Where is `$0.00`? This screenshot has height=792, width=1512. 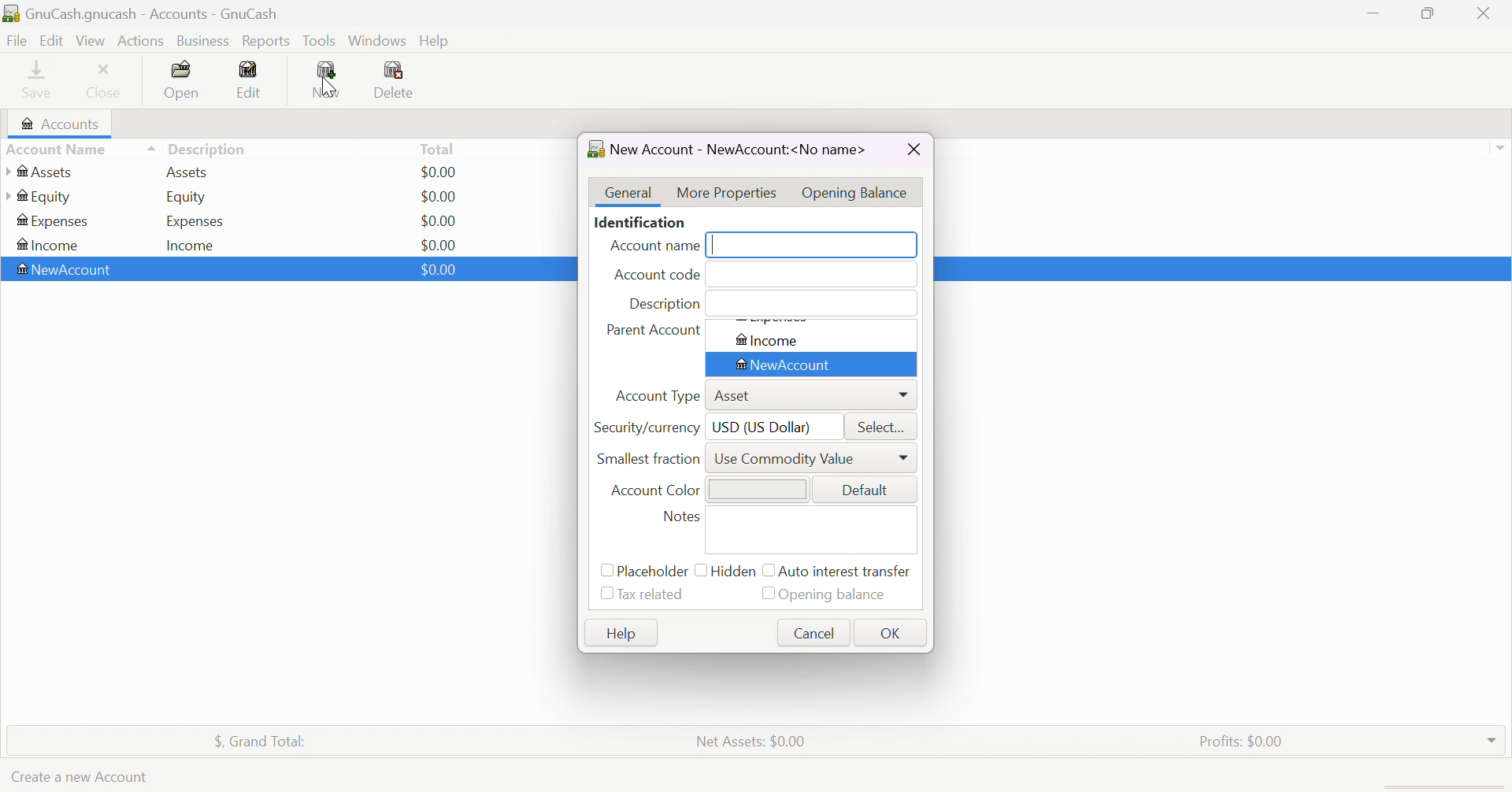 $0.00 is located at coordinates (439, 196).